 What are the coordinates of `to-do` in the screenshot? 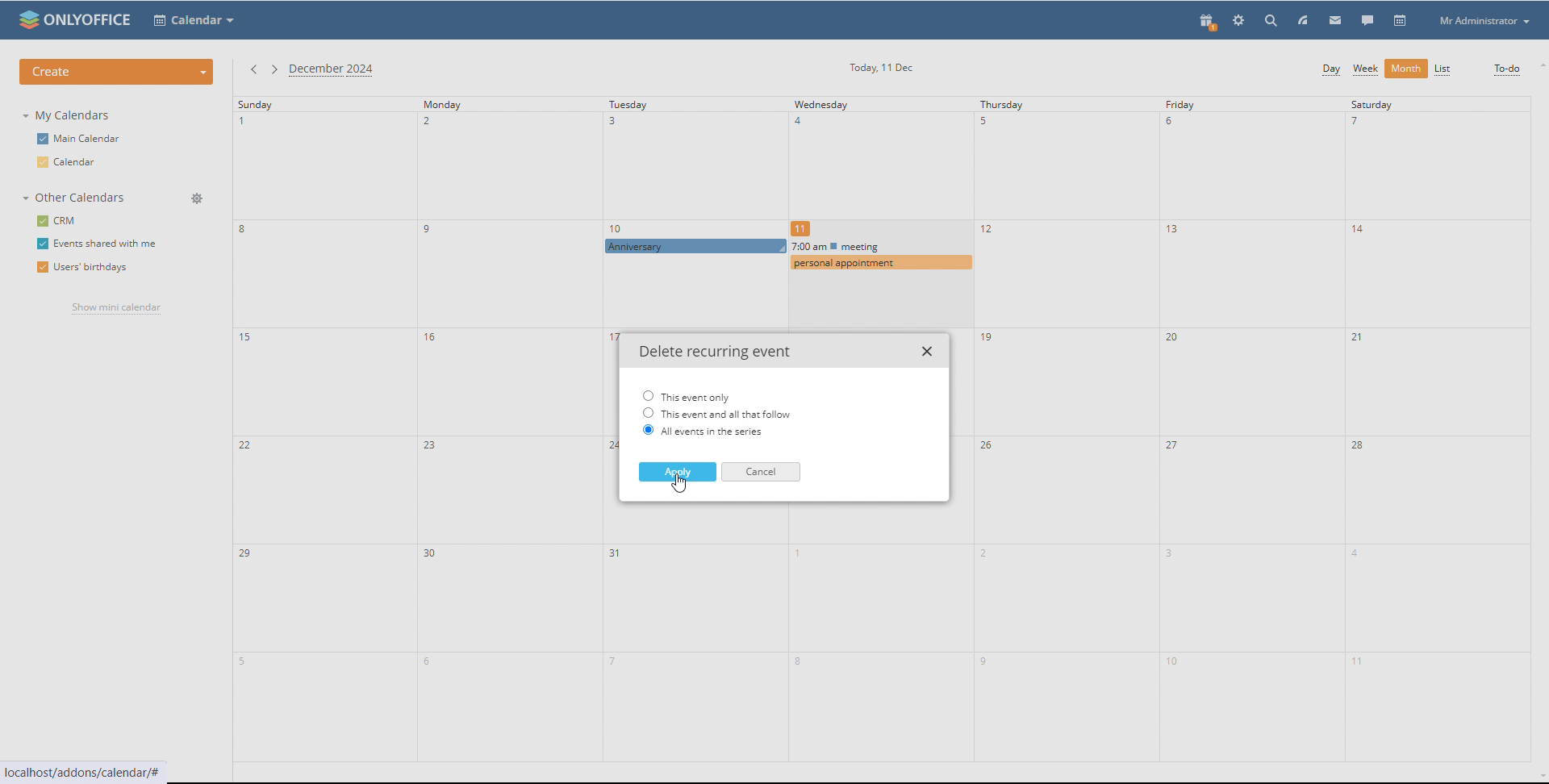 It's located at (1507, 70).